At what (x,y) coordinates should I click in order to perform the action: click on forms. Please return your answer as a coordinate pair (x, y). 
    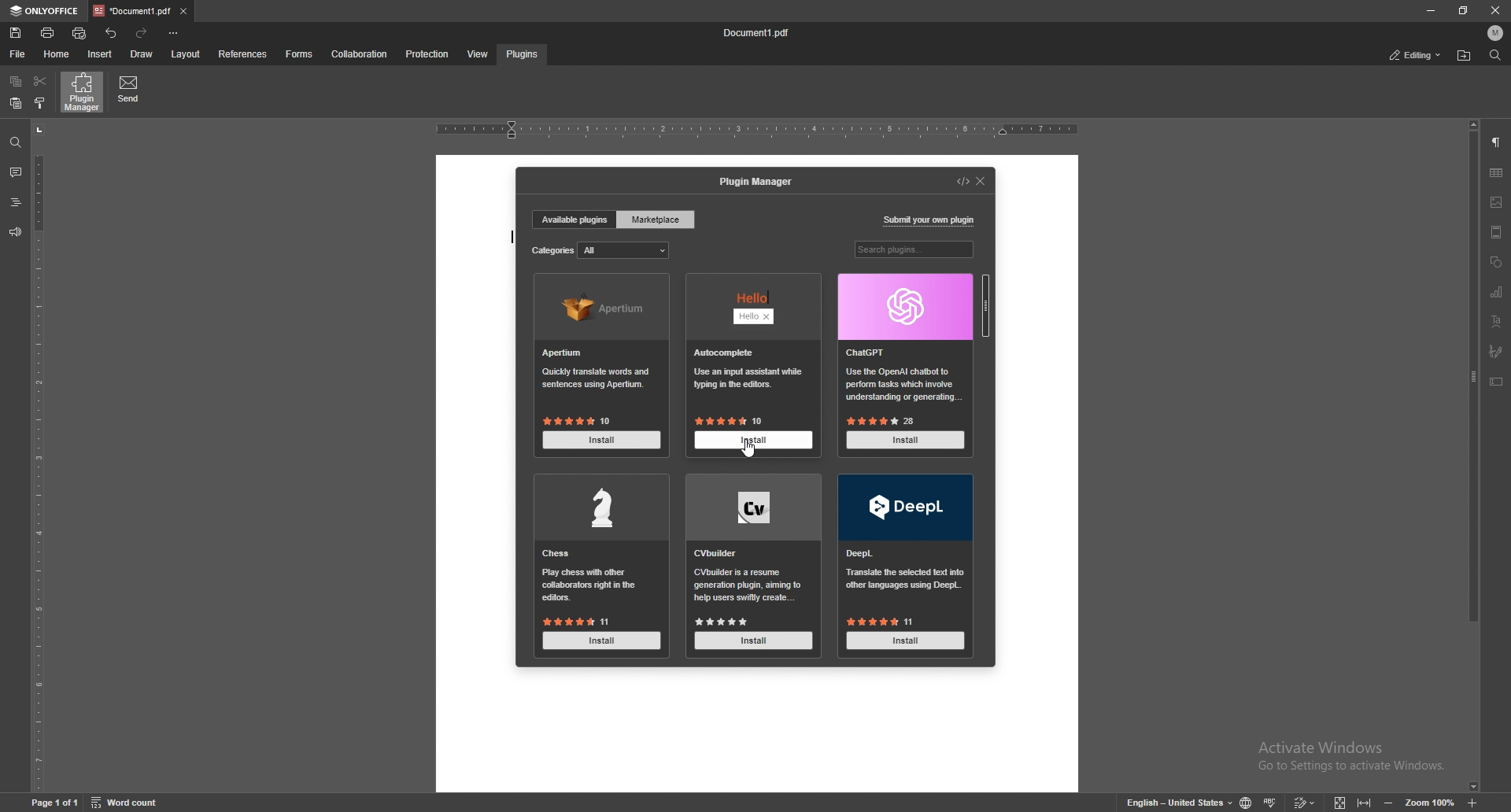
    Looking at the image, I should click on (300, 54).